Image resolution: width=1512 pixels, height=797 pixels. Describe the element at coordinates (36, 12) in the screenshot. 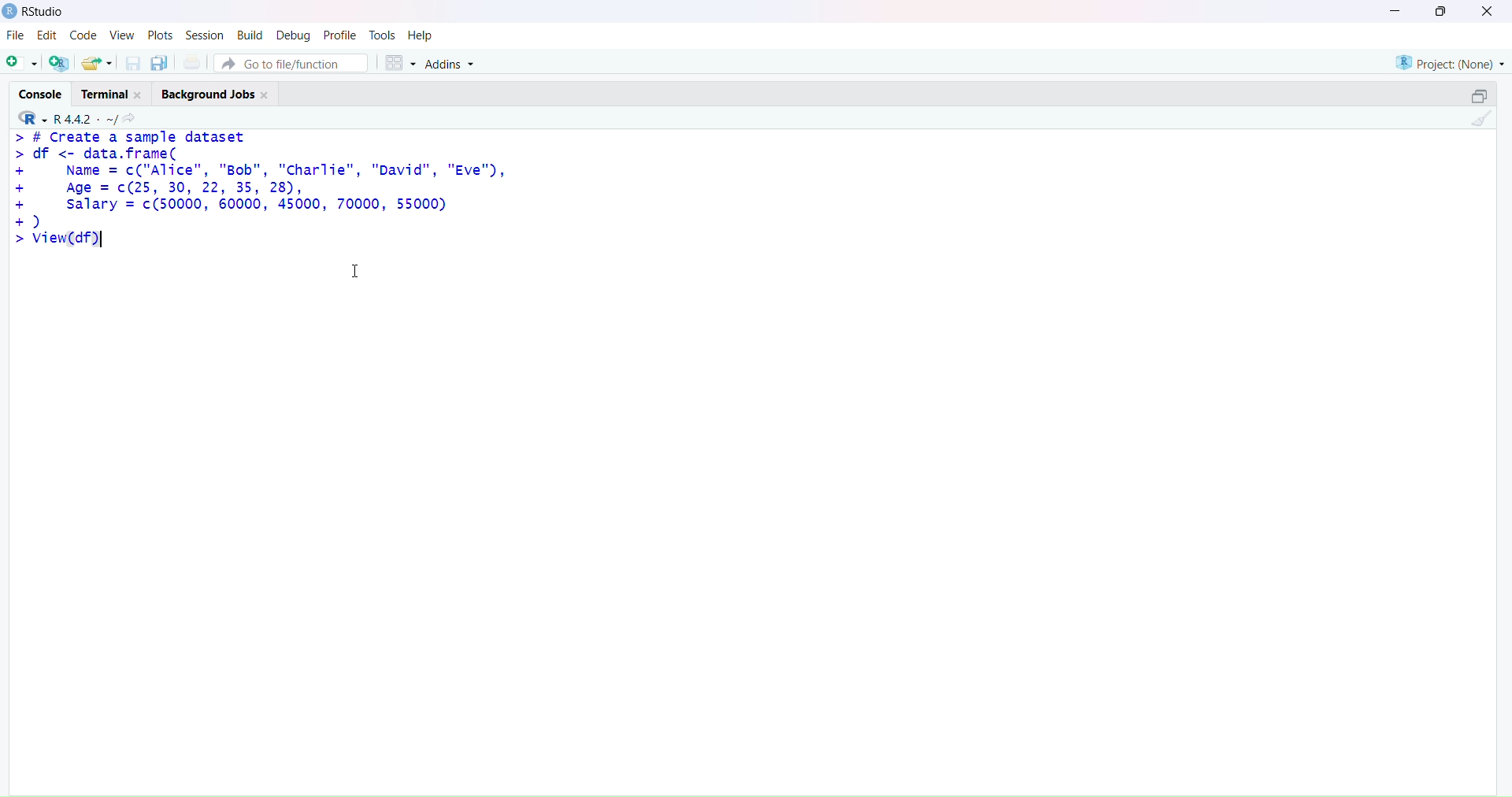

I see `Rstudio` at that location.